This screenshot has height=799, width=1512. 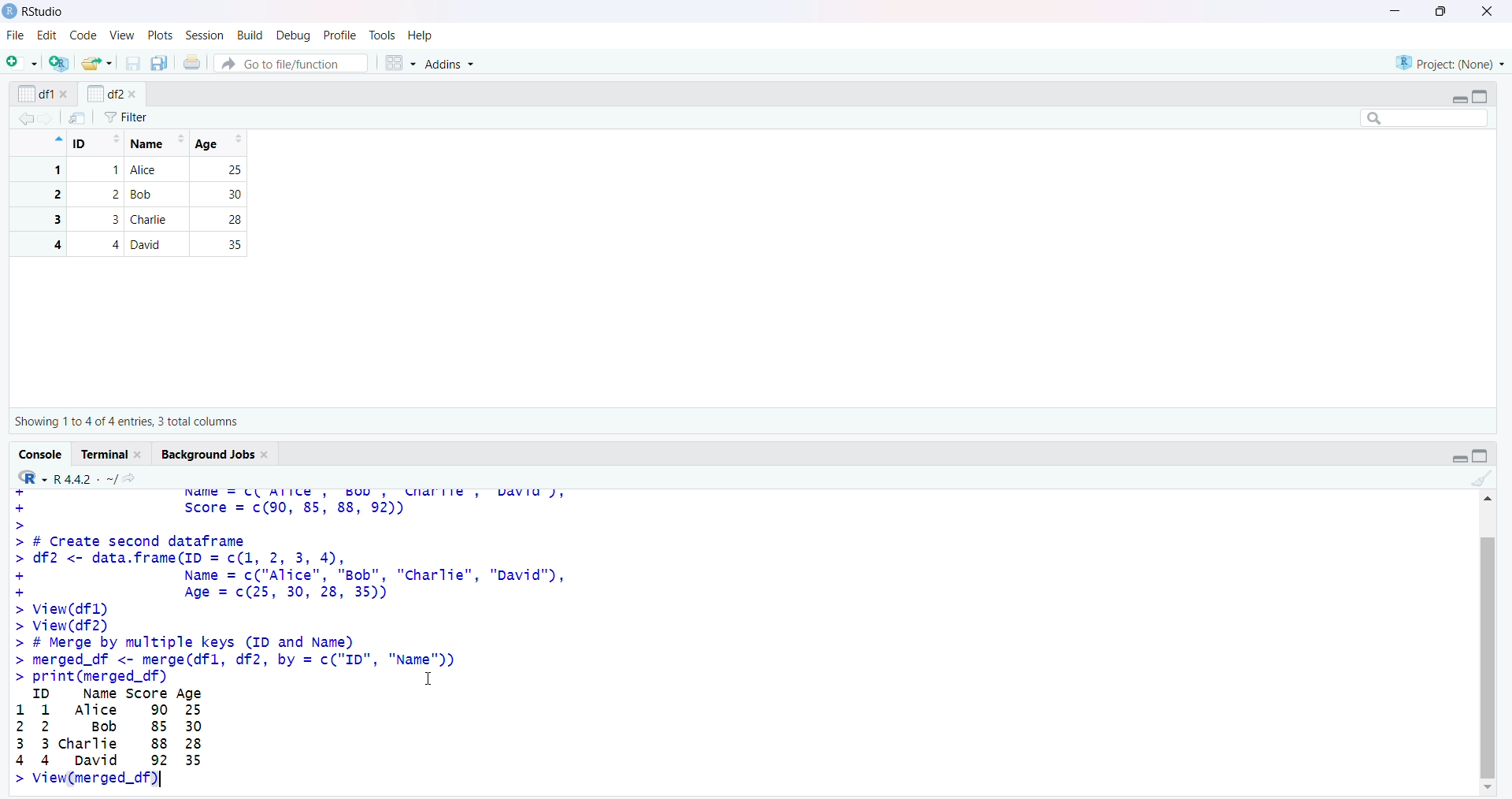 What do you see at coordinates (429, 678) in the screenshot?
I see `cursor` at bounding box center [429, 678].